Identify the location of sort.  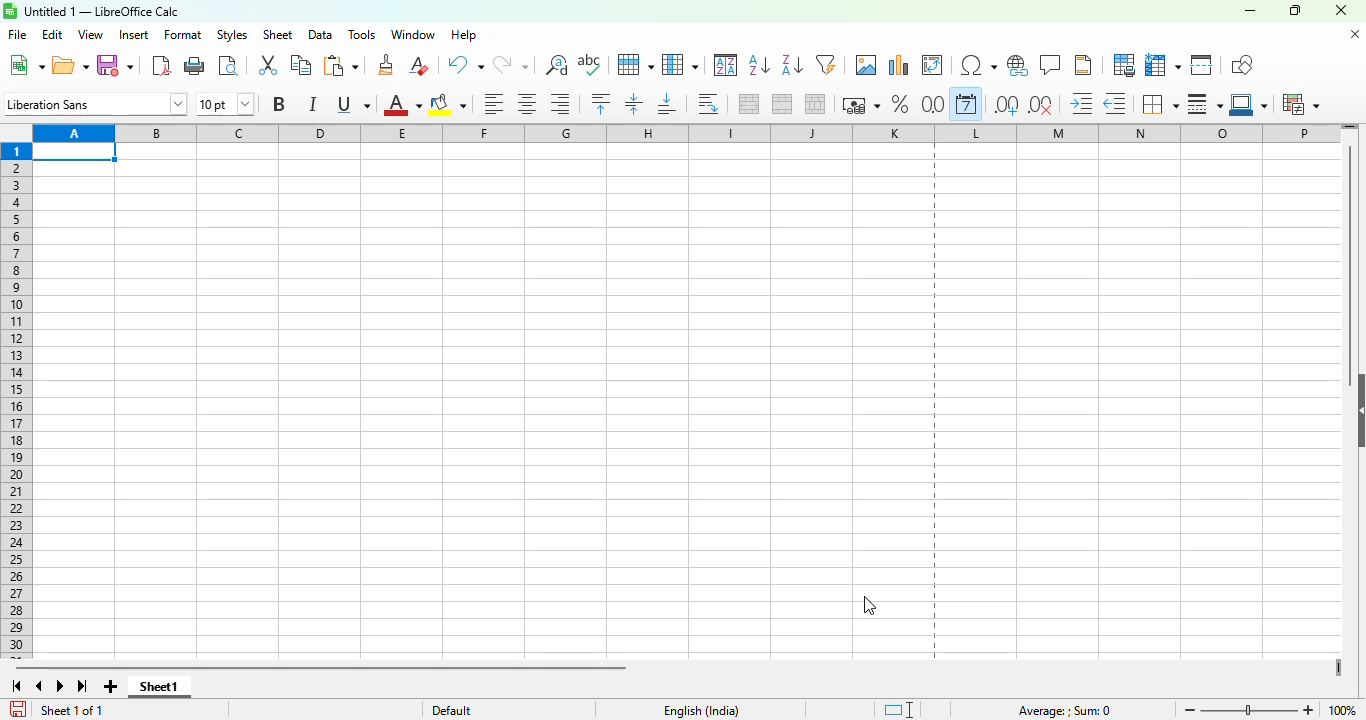
(726, 64).